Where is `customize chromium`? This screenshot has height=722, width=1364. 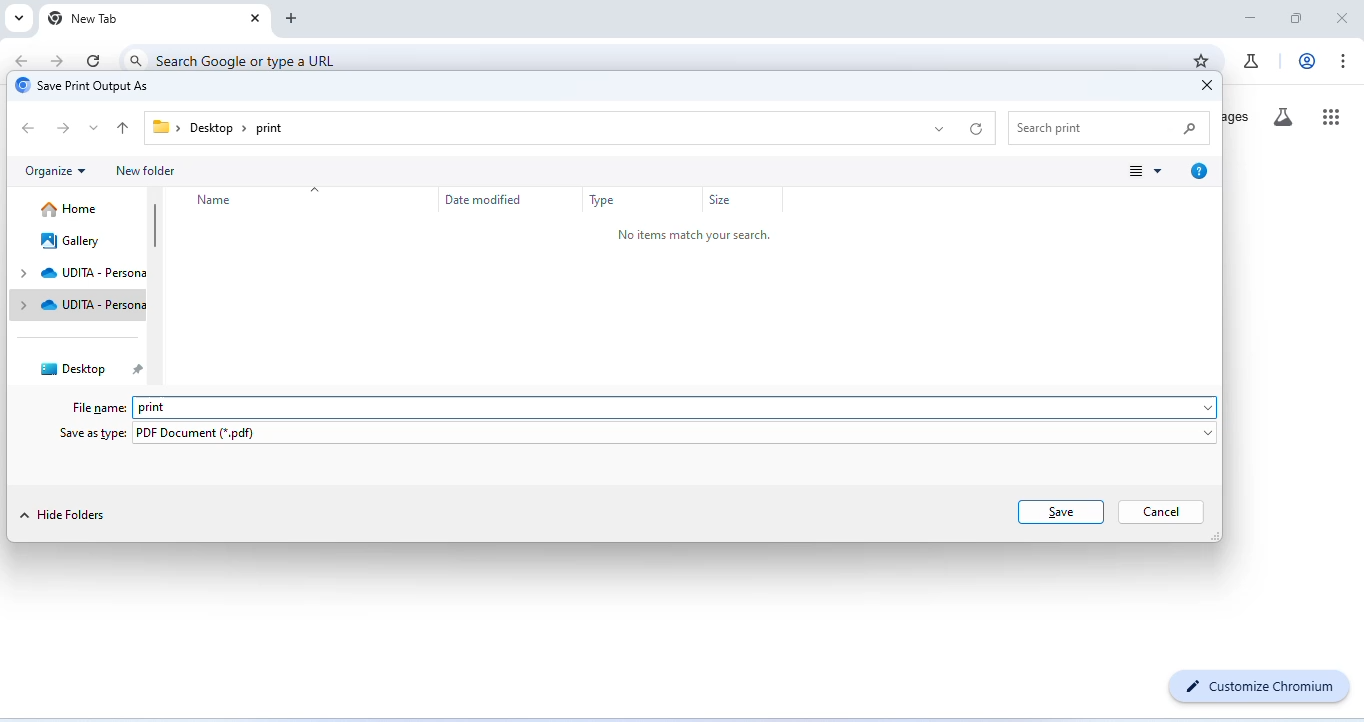 customize chromium is located at coordinates (1261, 686).